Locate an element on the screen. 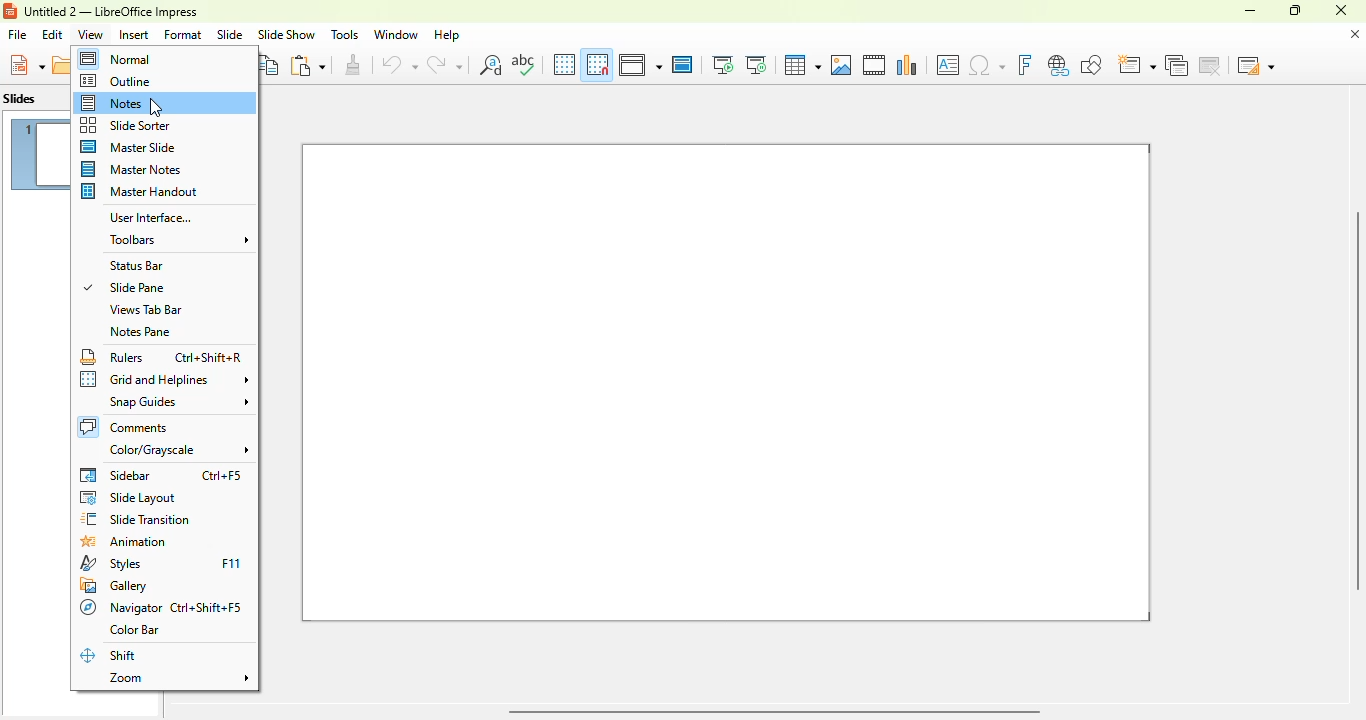  slides is located at coordinates (20, 98).